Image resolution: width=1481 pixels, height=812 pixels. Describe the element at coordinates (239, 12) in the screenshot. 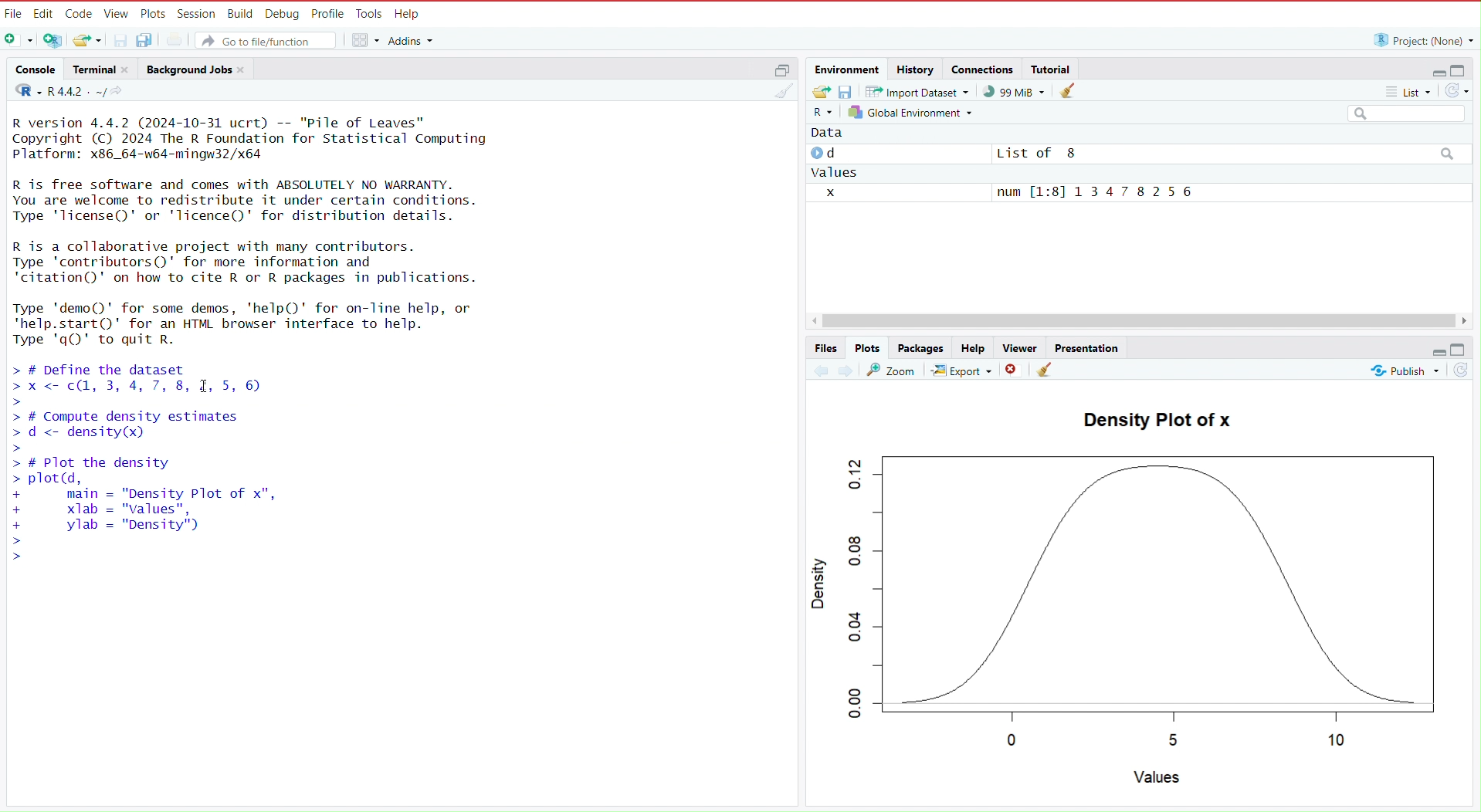

I see `build` at that location.